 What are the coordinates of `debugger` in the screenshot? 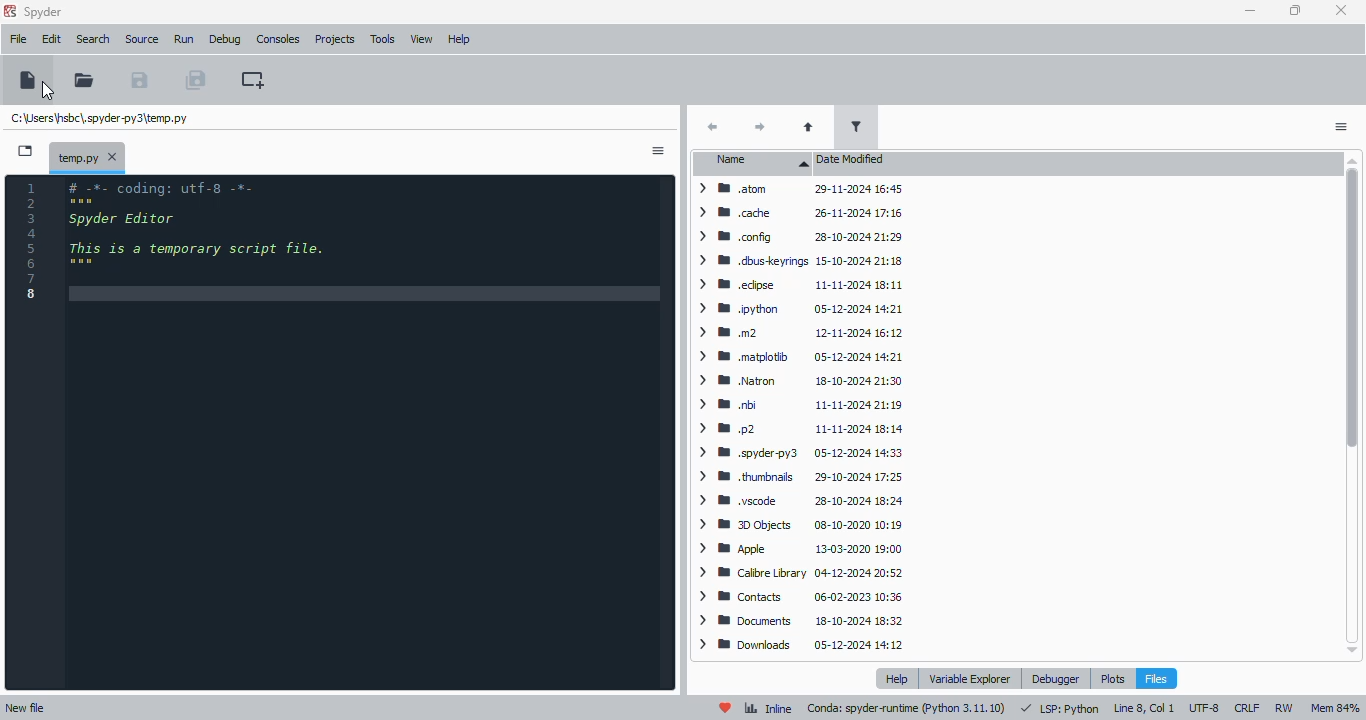 It's located at (1057, 678).